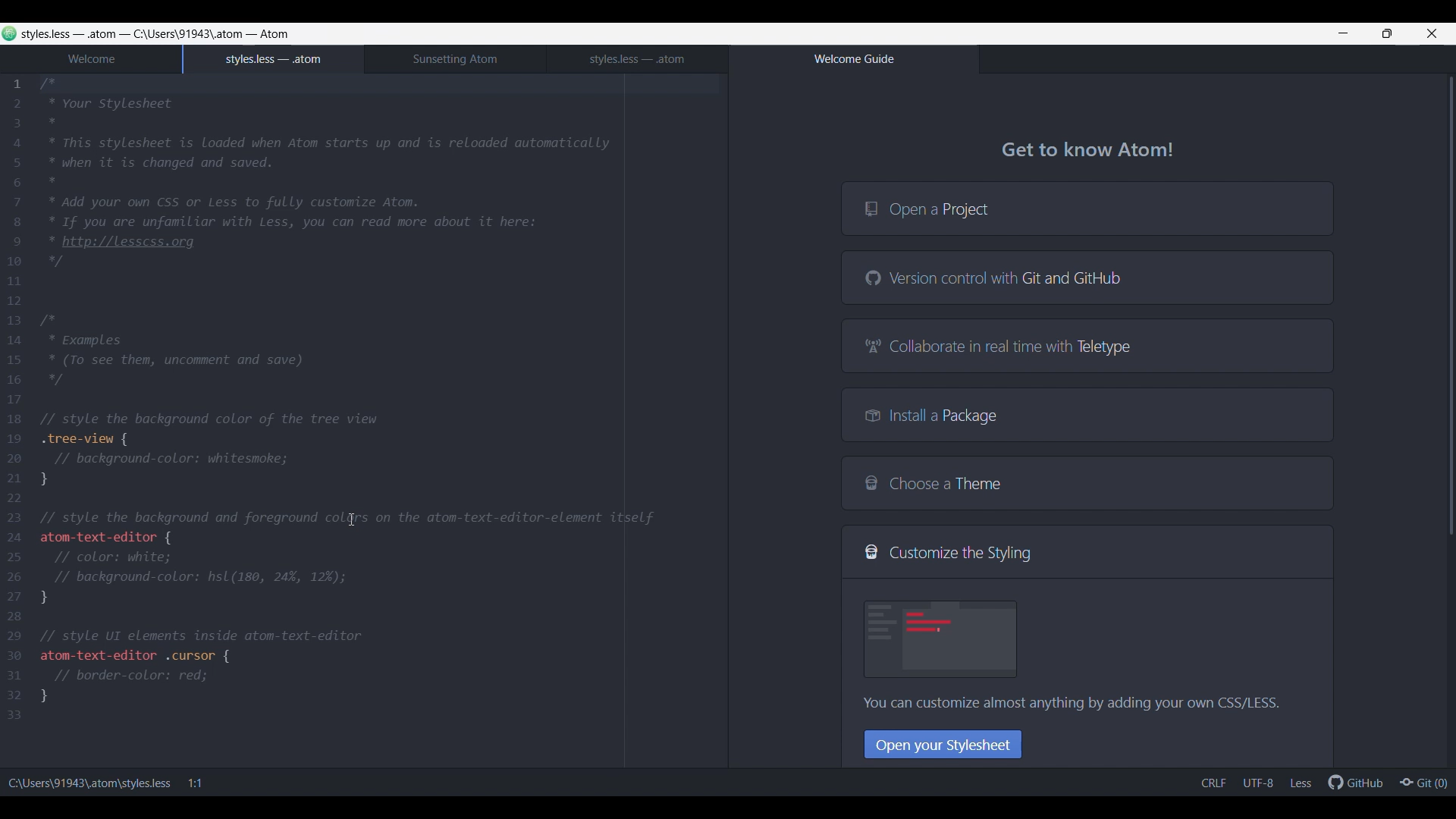 The image size is (1456, 819). What do you see at coordinates (115, 783) in the screenshot?
I see `Ci\Users\91943\ atom\stylesless 1:1` at bounding box center [115, 783].